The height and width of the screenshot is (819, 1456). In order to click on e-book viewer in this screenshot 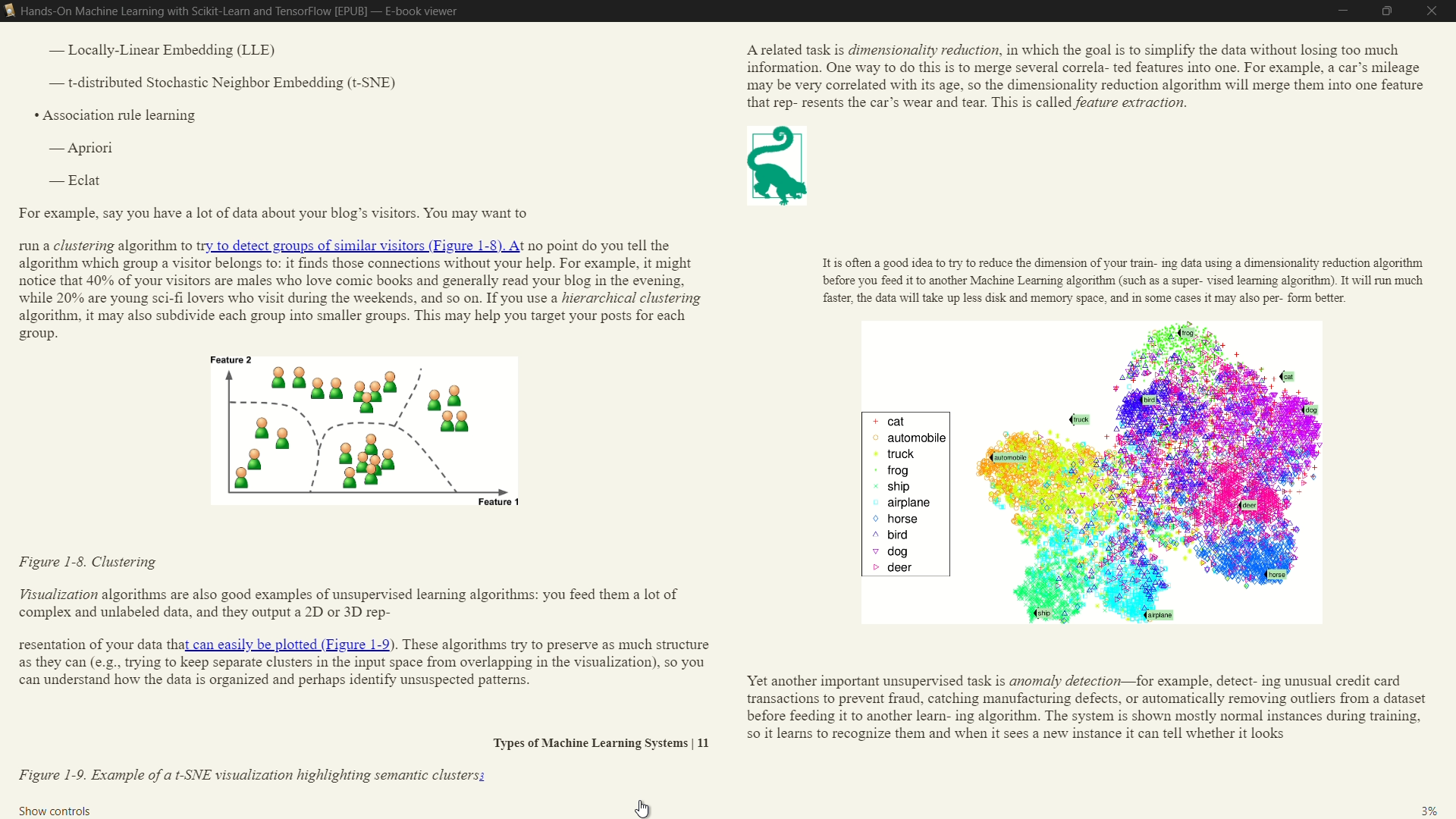, I will do `click(421, 11)`.